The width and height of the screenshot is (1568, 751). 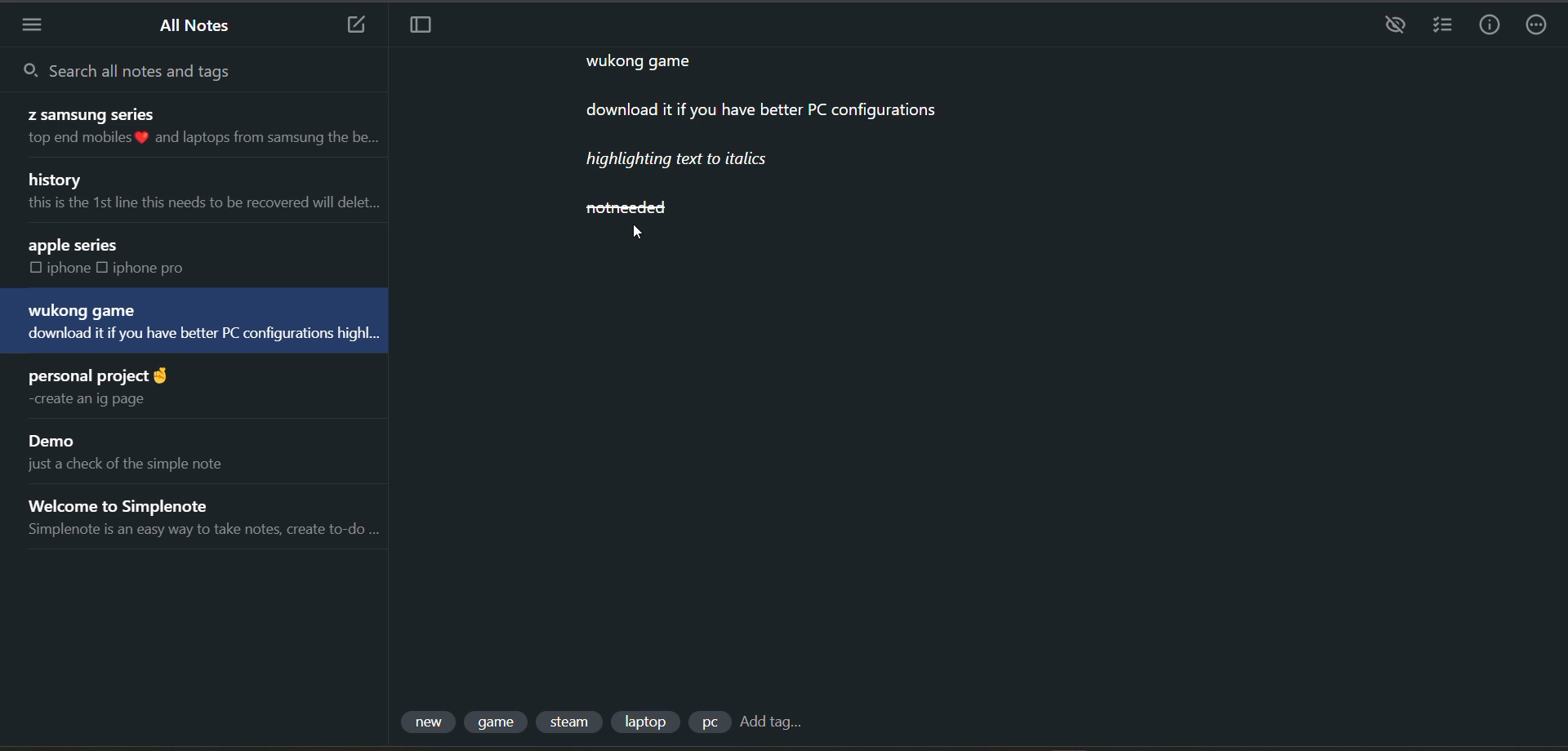 What do you see at coordinates (203, 24) in the screenshot?
I see `all notes` at bounding box center [203, 24].